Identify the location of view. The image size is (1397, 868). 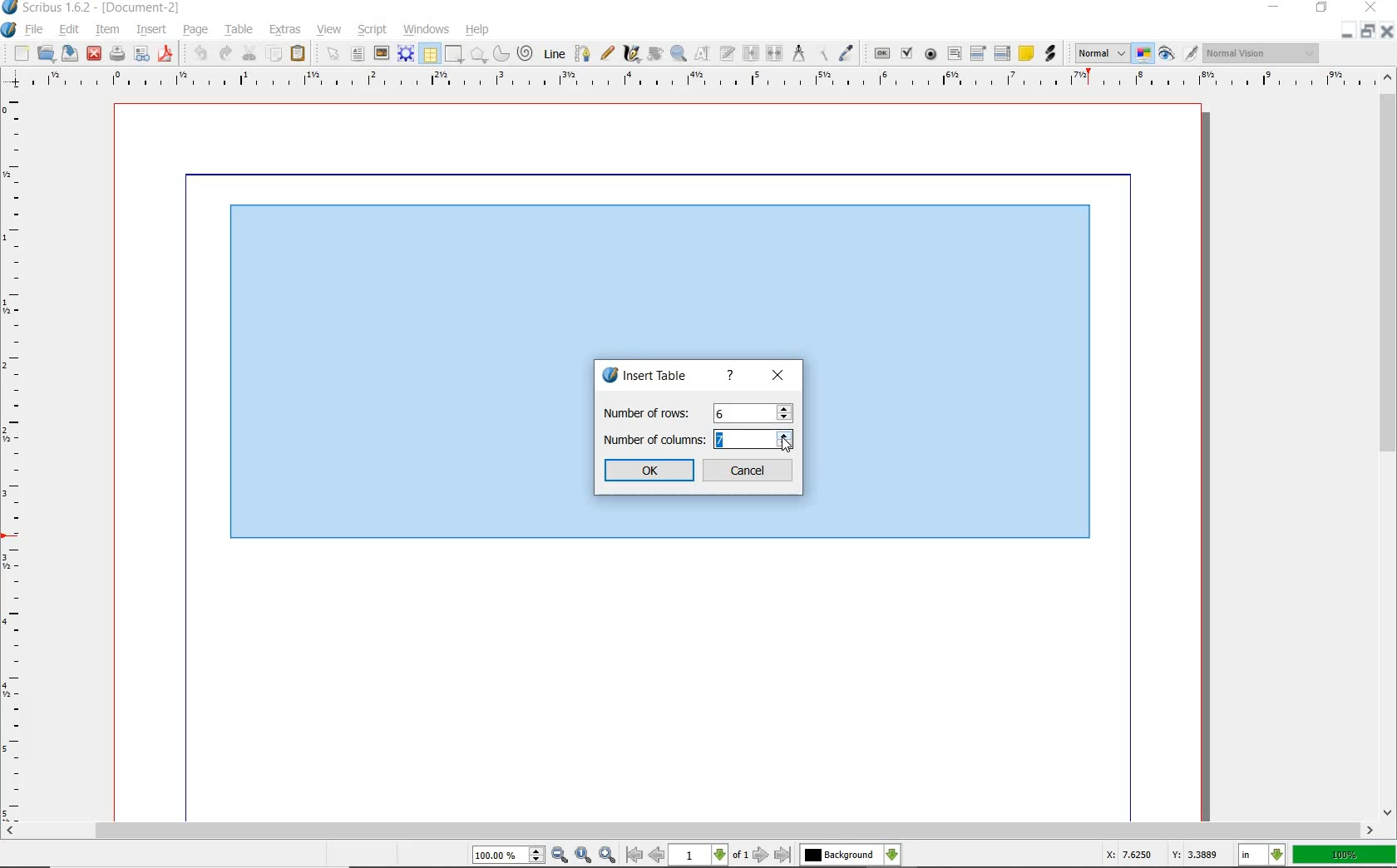
(329, 32).